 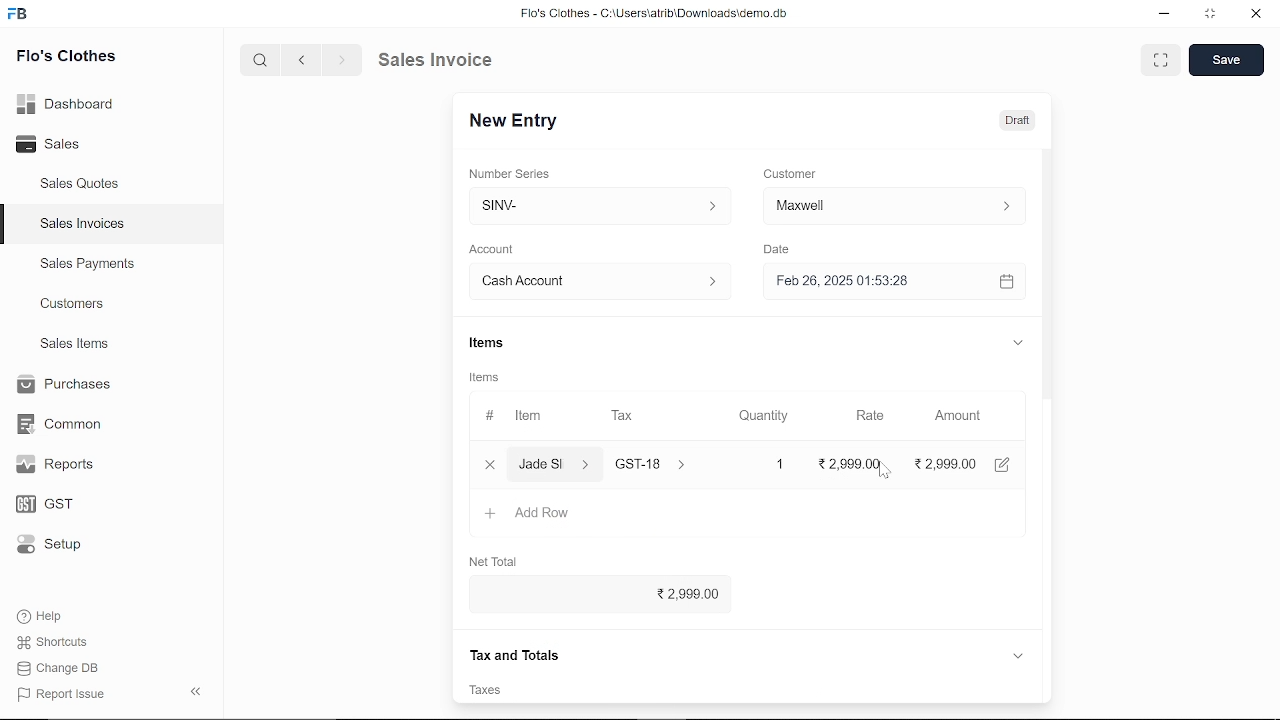 What do you see at coordinates (521, 121) in the screenshot?
I see `New Entry` at bounding box center [521, 121].